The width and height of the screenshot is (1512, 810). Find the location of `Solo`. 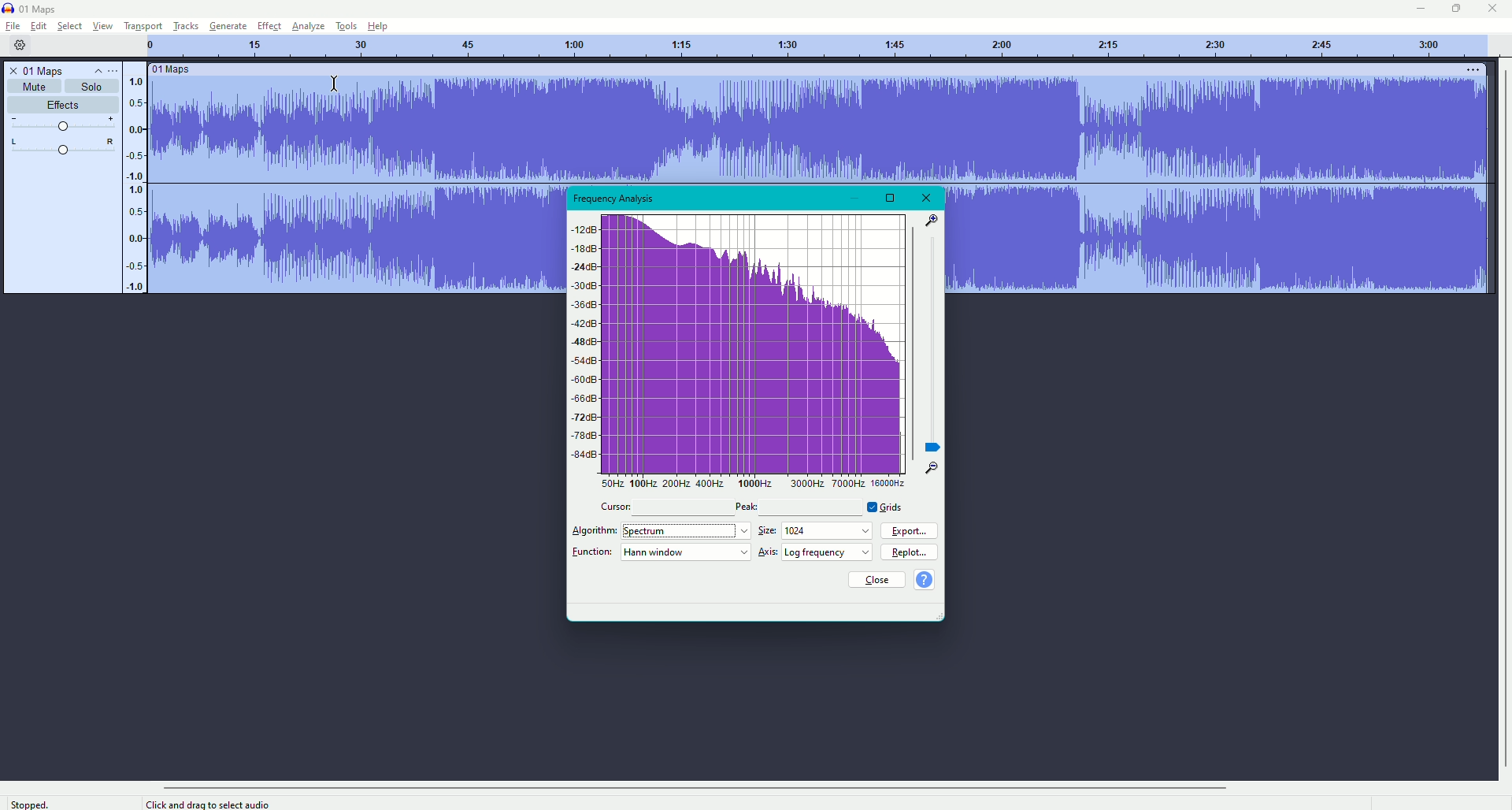

Solo is located at coordinates (91, 87).